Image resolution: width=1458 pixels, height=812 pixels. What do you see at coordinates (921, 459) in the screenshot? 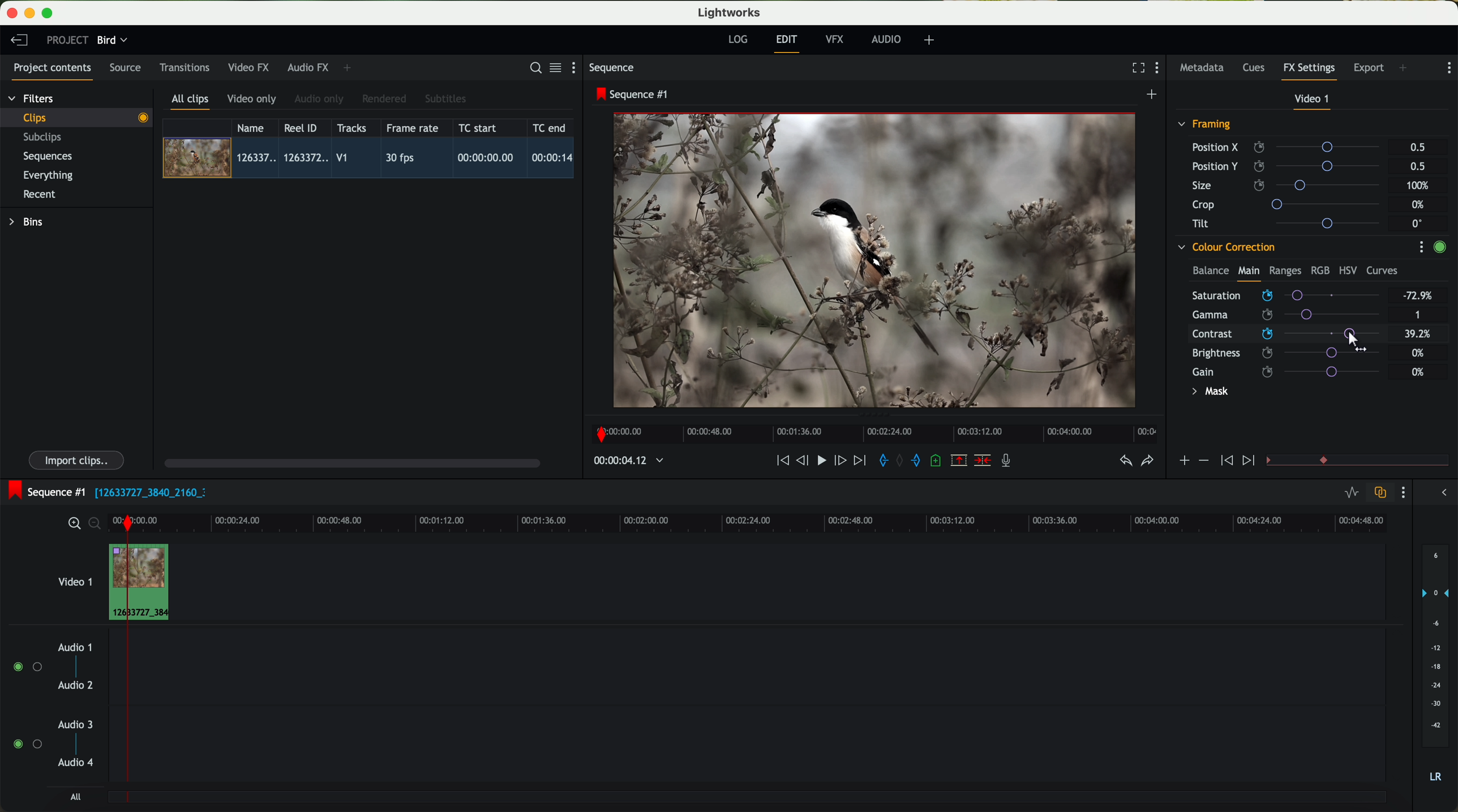
I see `add 'out' mark` at bounding box center [921, 459].